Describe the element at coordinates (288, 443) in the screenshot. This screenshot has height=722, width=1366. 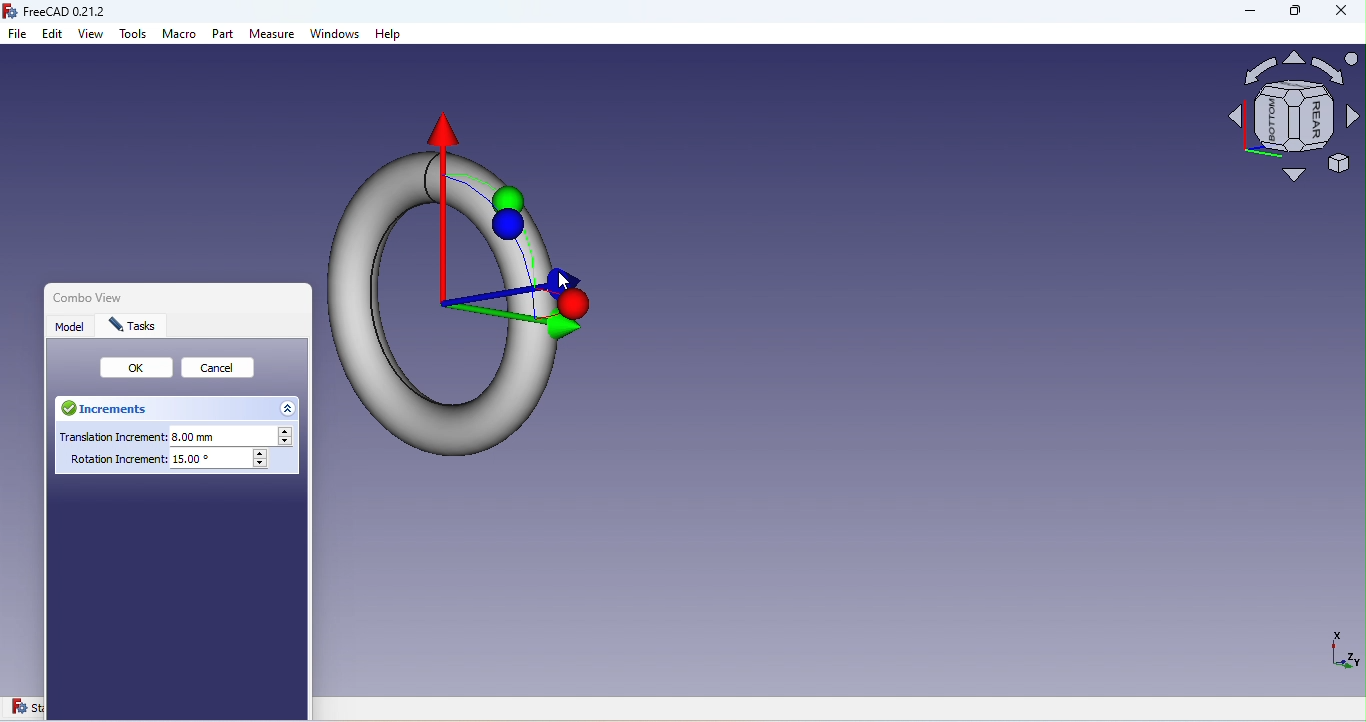
I see `Decrease translation increment` at that location.